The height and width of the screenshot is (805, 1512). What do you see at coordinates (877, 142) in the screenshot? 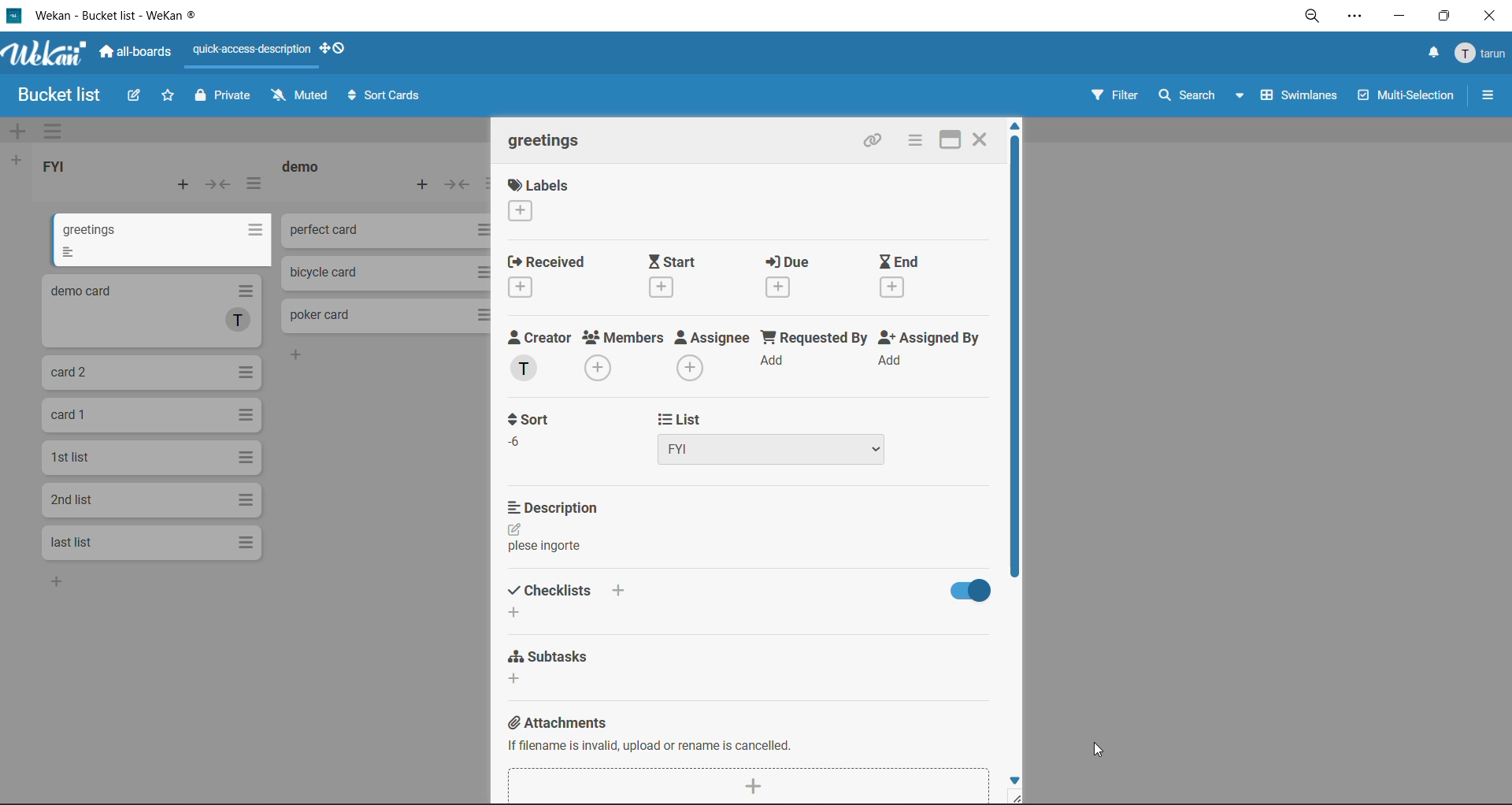
I see `copy link` at bounding box center [877, 142].